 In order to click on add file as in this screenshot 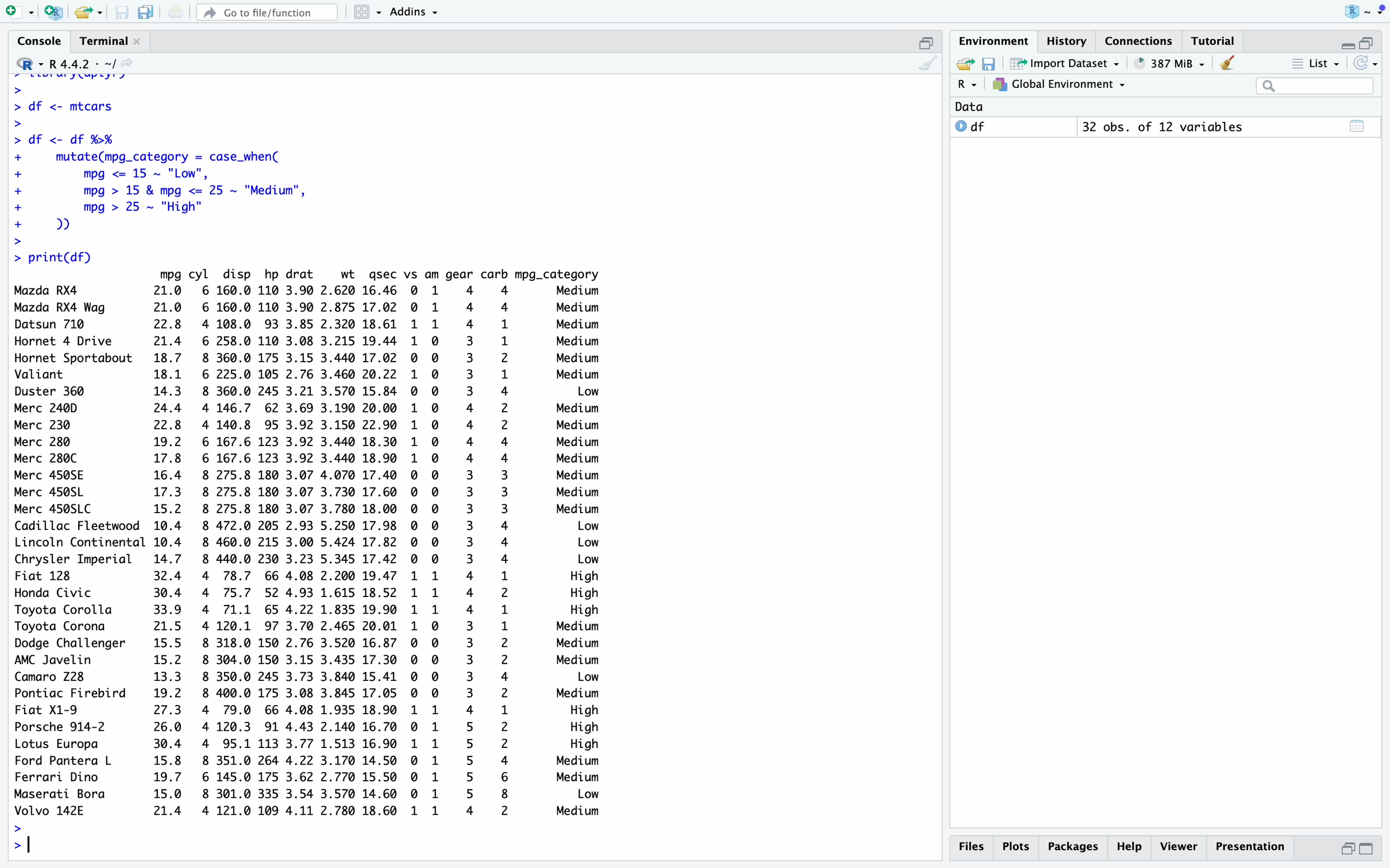, I will do `click(22, 13)`.